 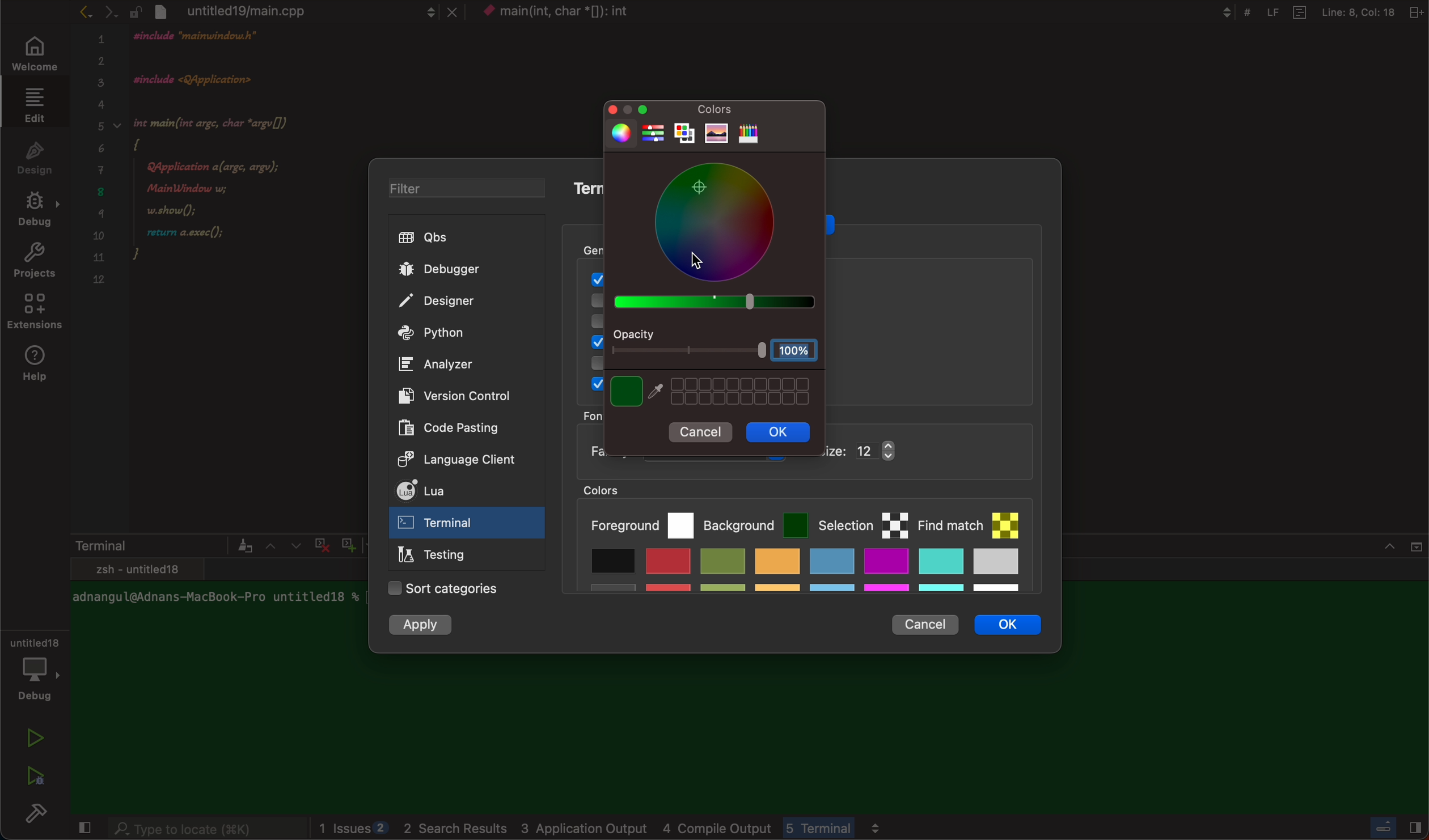 What do you see at coordinates (442, 364) in the screenshot?
I see `analyzer` at bounding box center [442, 364].